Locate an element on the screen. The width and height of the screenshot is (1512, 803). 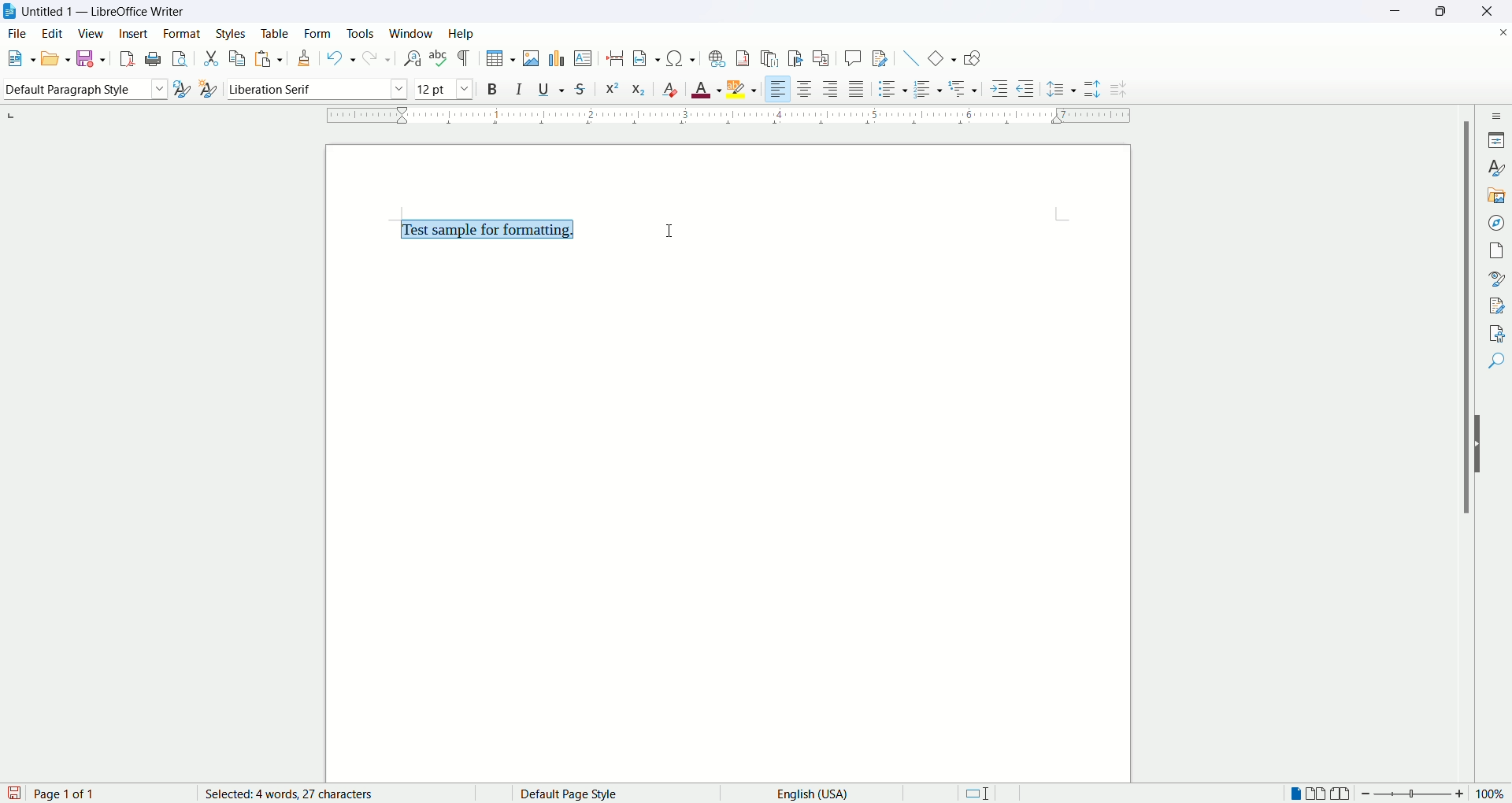
formatting is located at coordinates (304, 58).